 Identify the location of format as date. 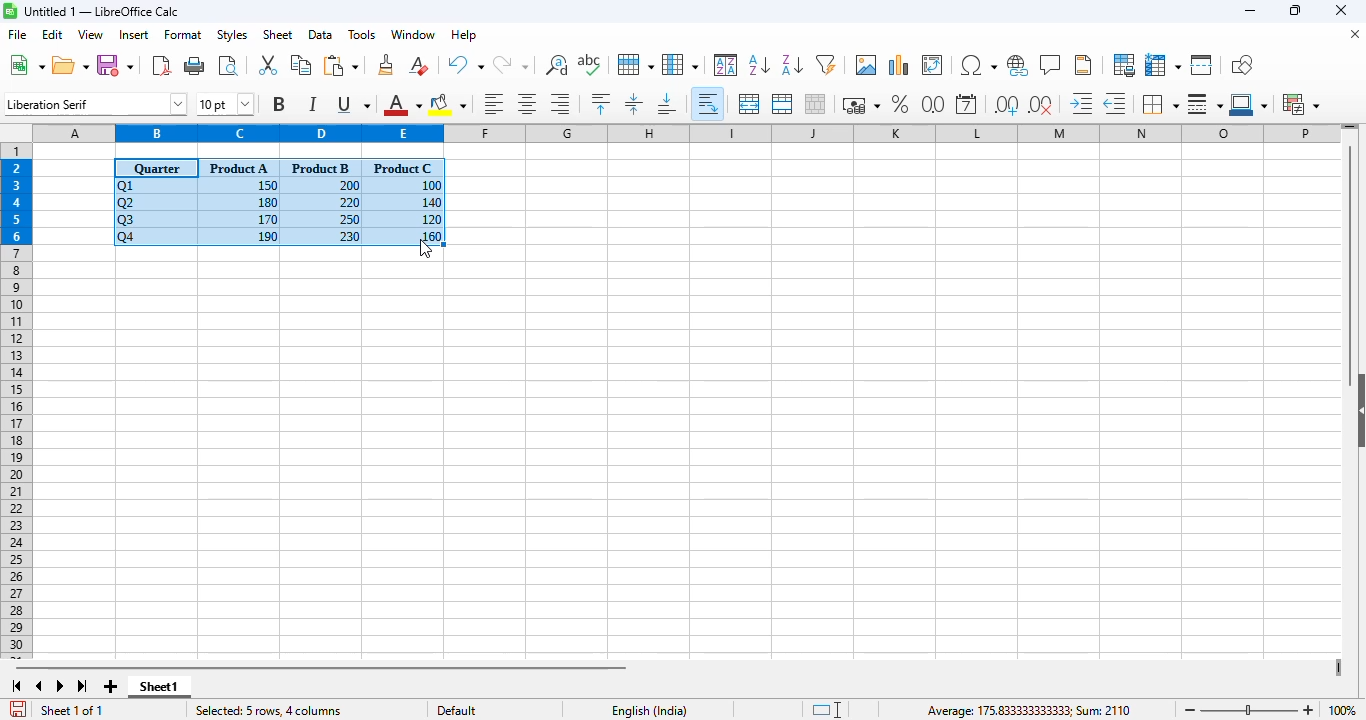
(966, 104).